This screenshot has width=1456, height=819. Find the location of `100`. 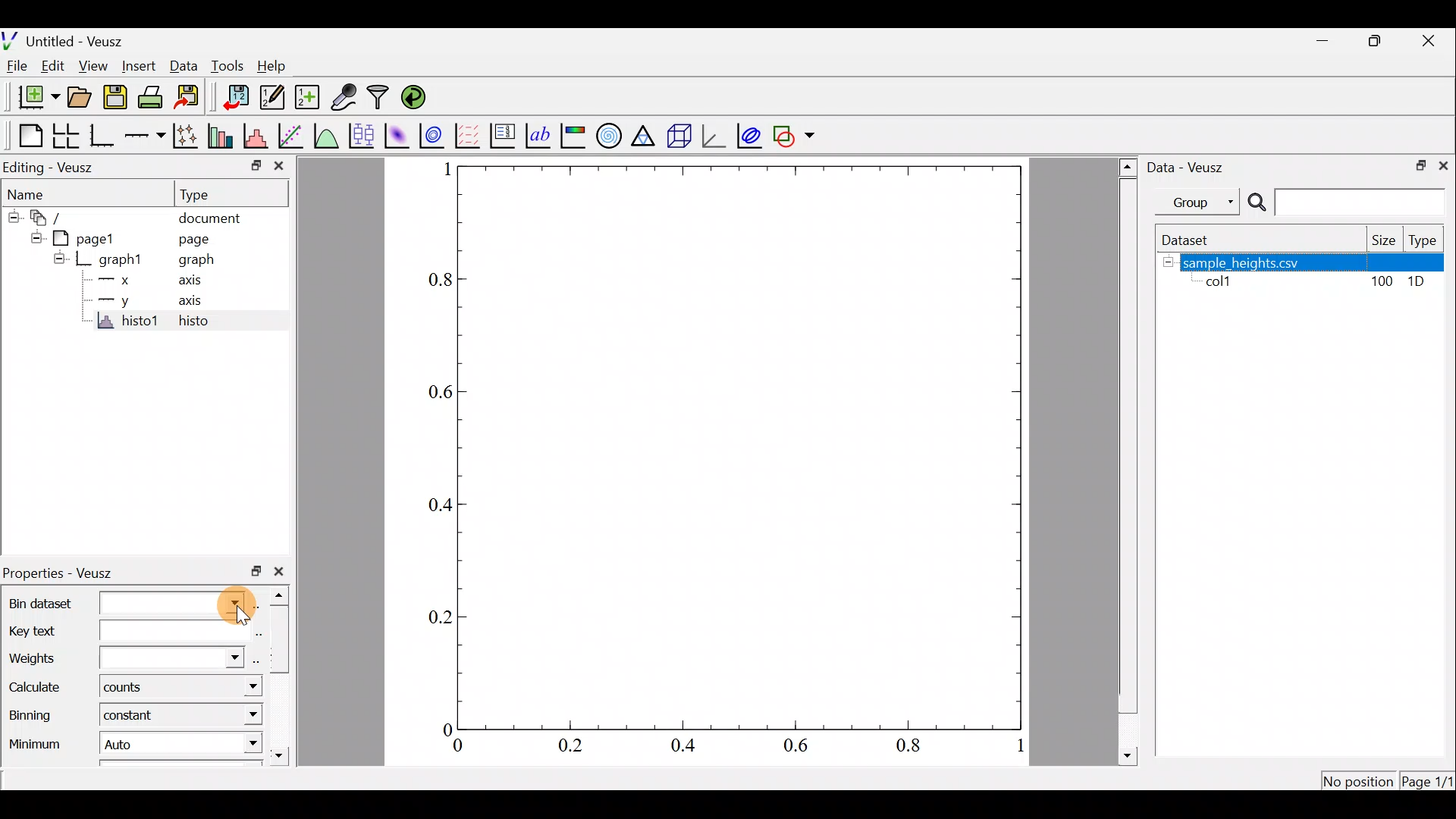

100 is located at coordinates (1384, 282).